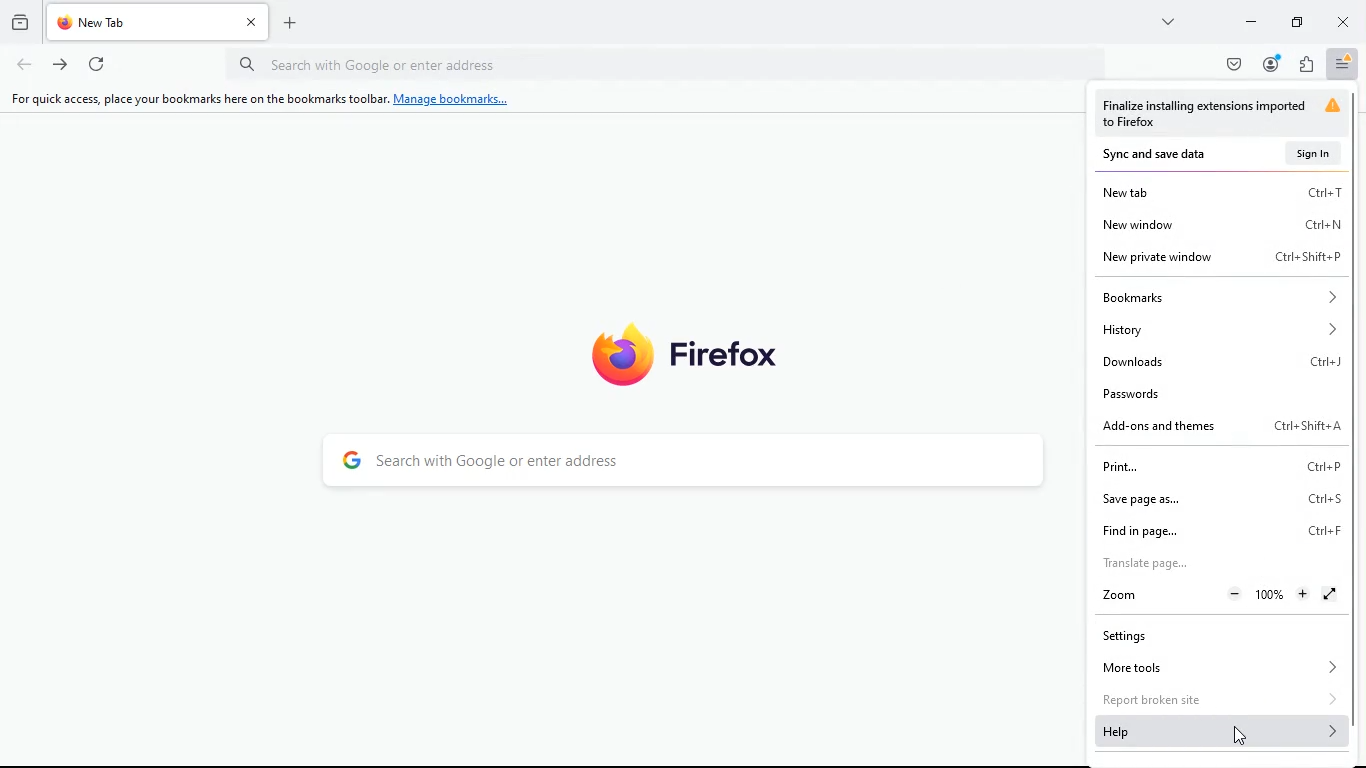 Image resolution: width=1366 pixels, height=768 pixels. I want to click on back, so click(23, 65).